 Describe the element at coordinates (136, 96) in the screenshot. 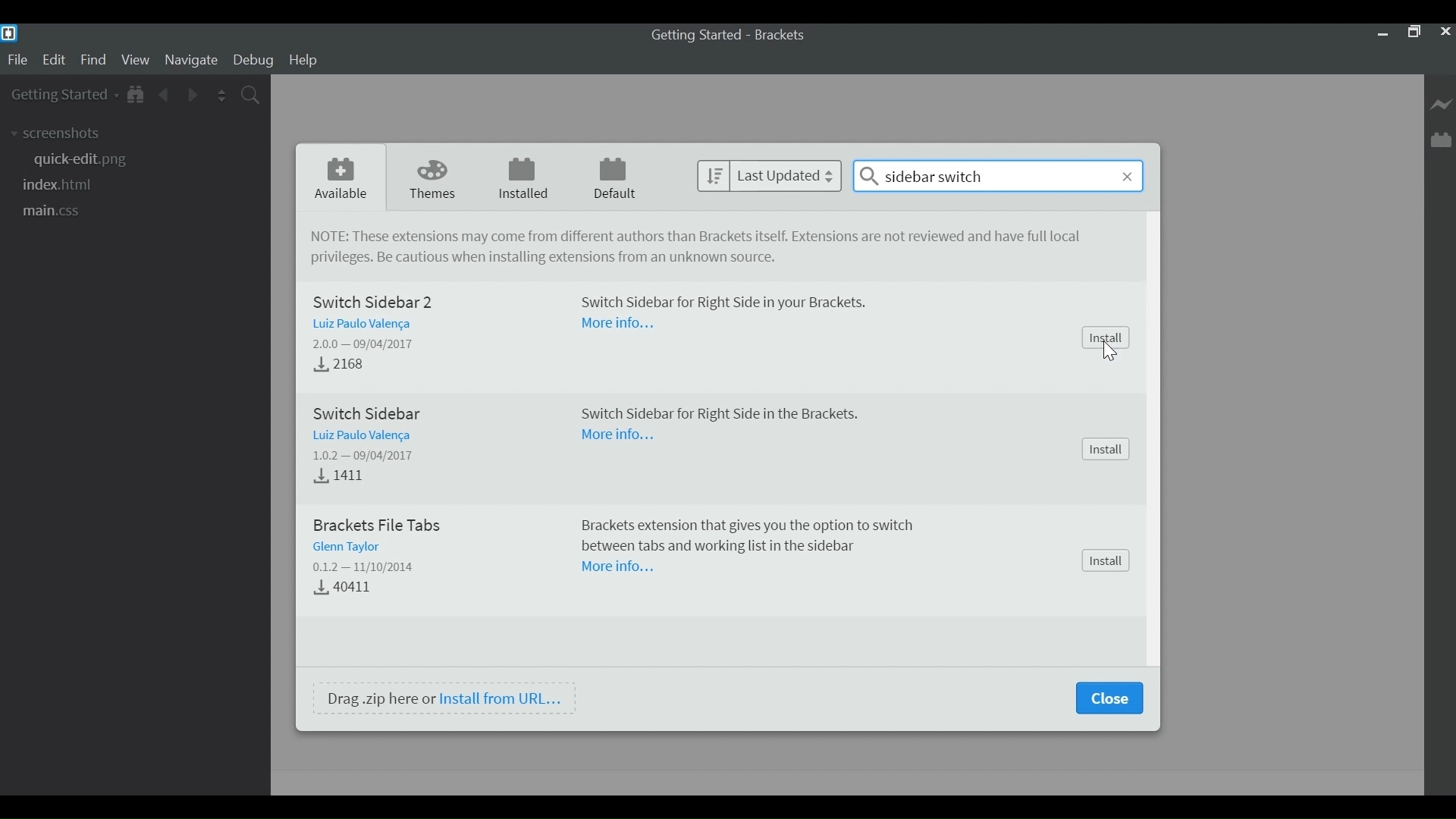

I see `Show in File tree` at that location.